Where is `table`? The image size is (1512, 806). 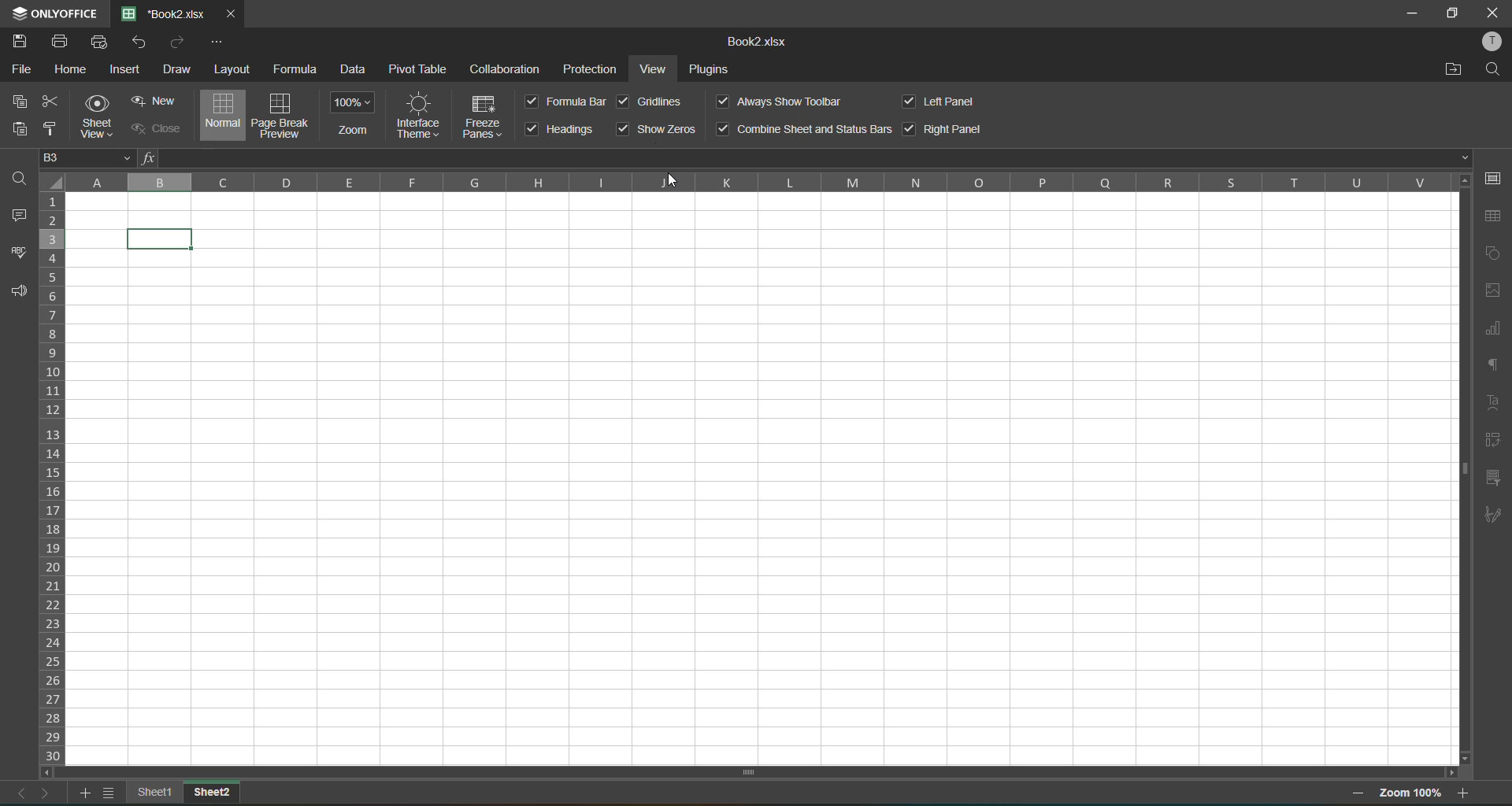
table is located at coordinates (1492, 217).